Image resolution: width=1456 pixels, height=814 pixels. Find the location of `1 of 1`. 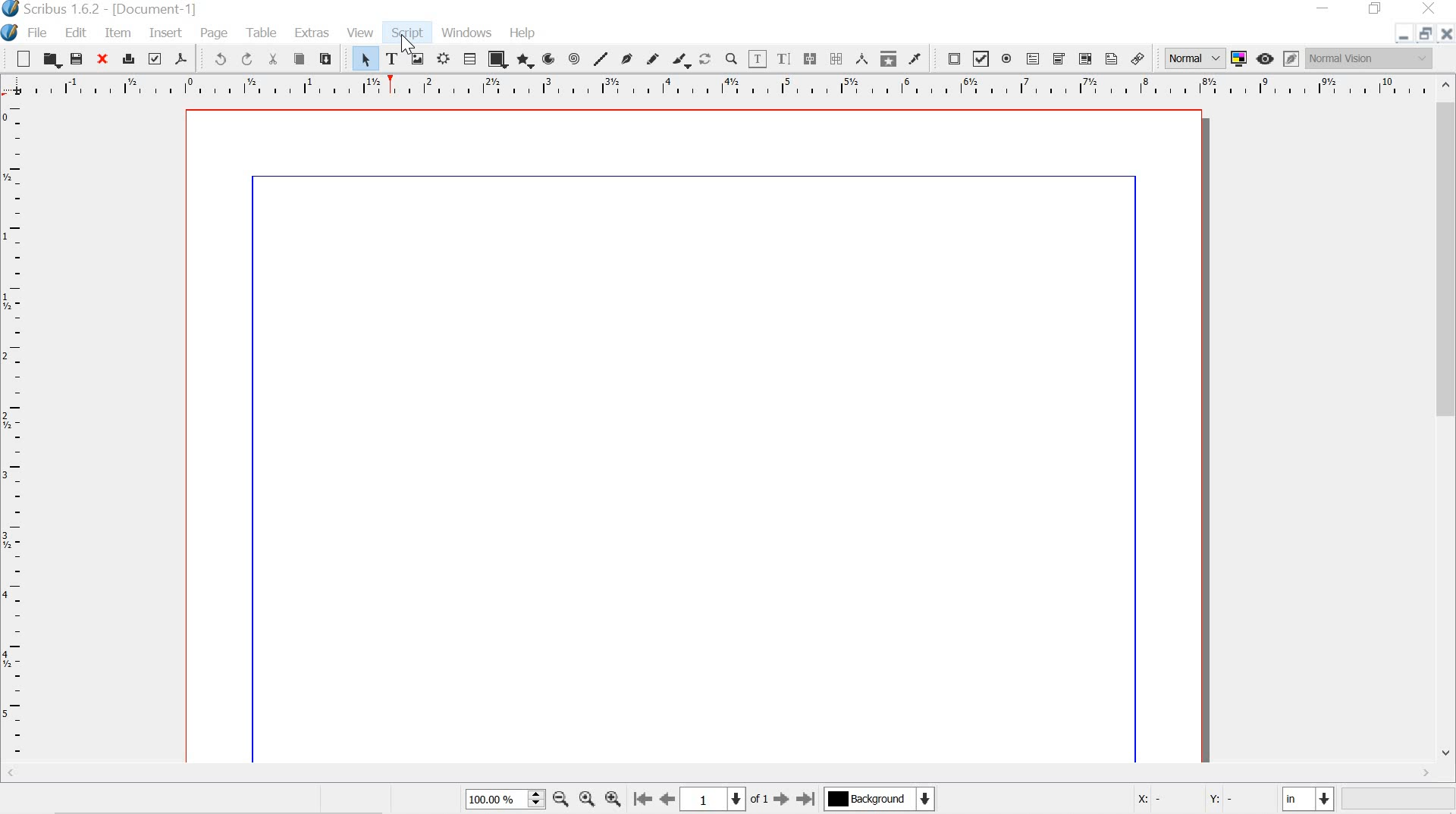

1 of 1 is located at coordinates (724, 798).